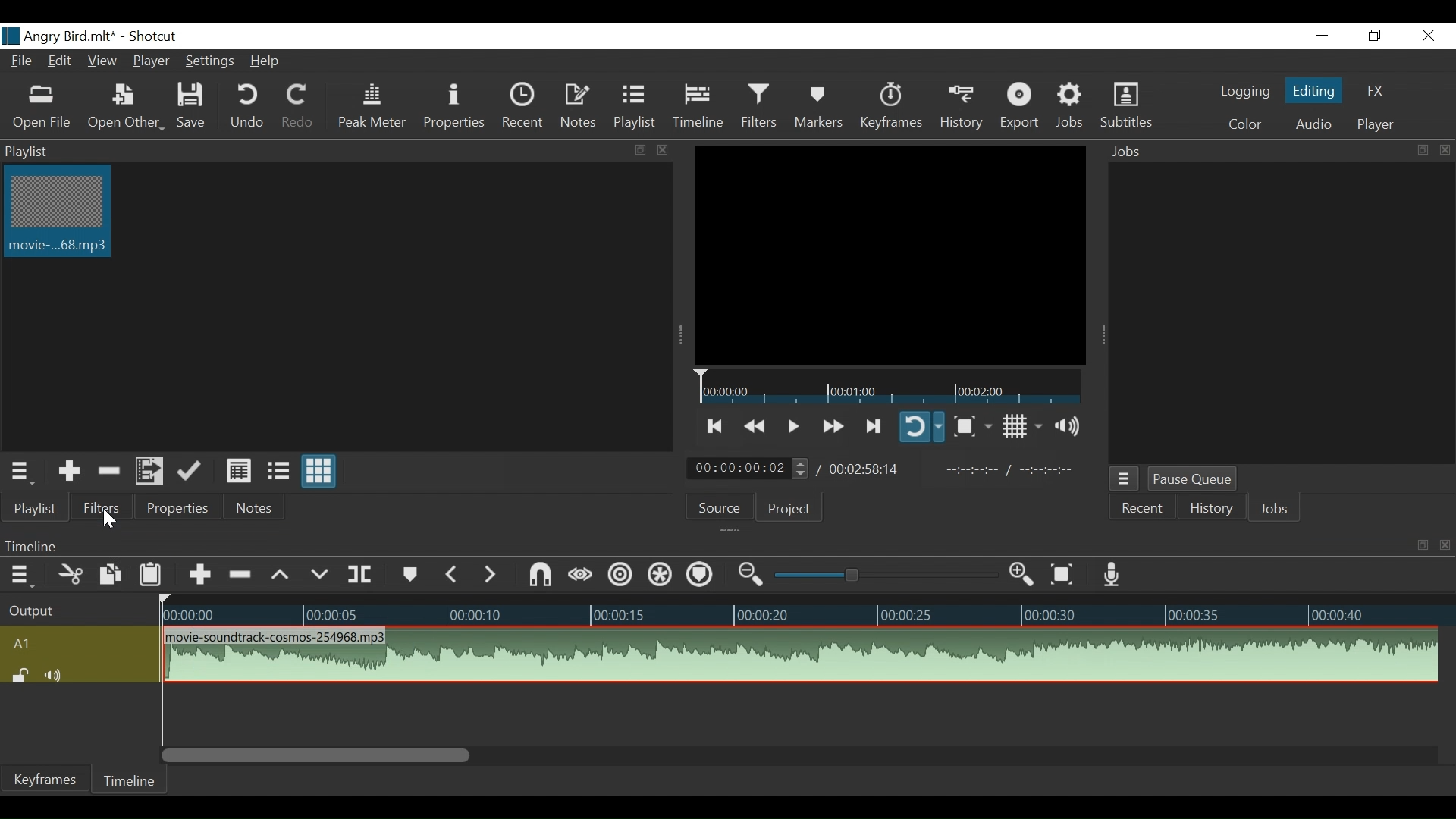 Image resolution: width=1456 pixels, height=819 pixels. Describe the element at coordinates (247, 107) in the screenshot. I see `Undo` at that location.